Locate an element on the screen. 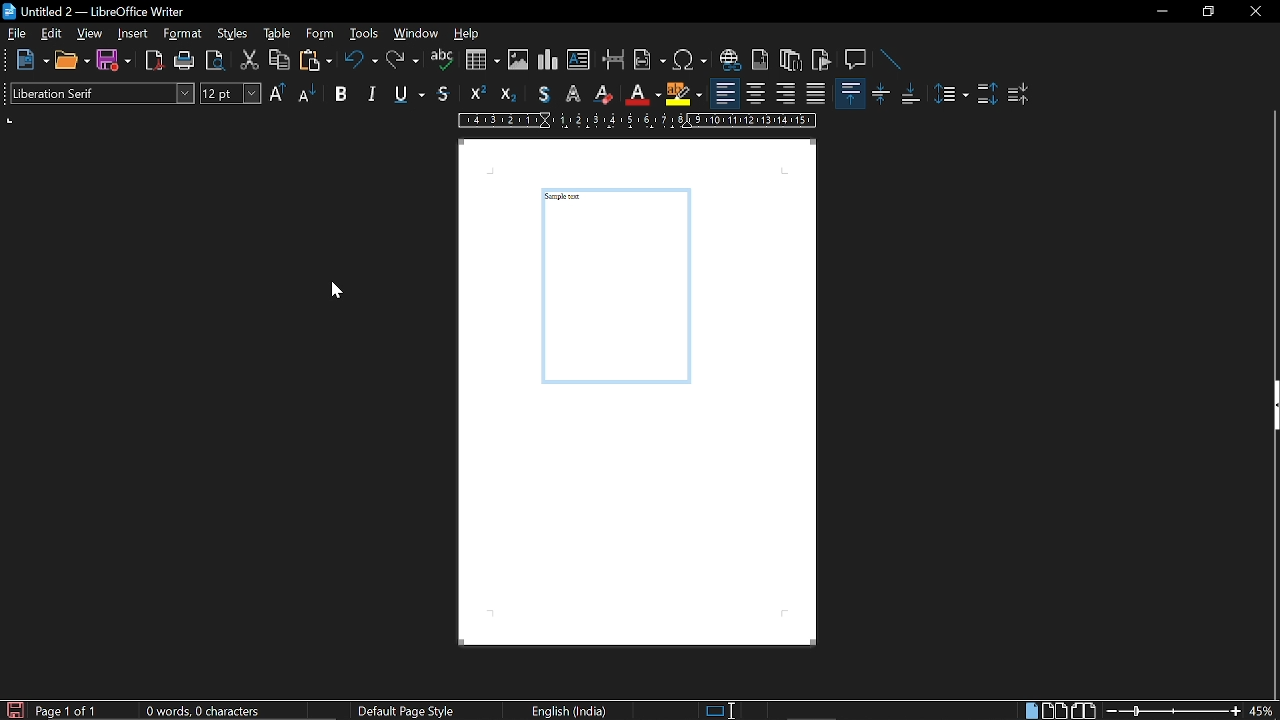 The height and width of the screenshot is (720, 1280). scale is located at coordinates (637, 121).